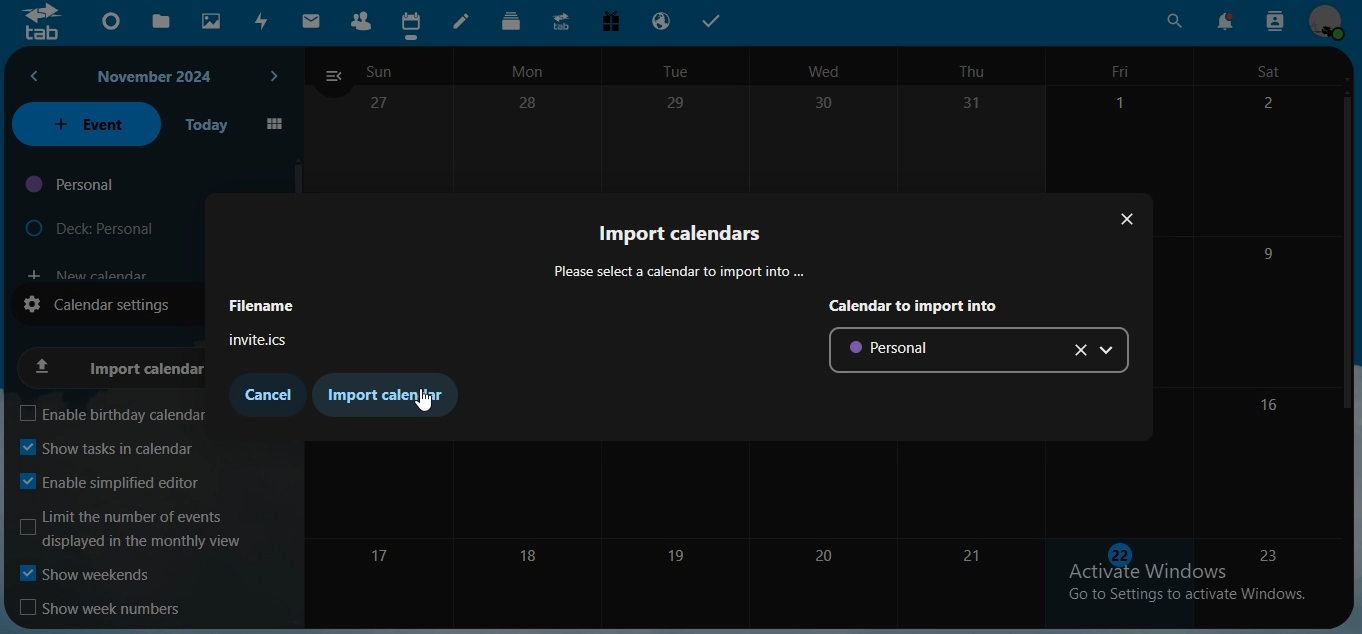 The width and height of the screenshot is (1362, 634). Describe the element at coordinates (610, 21) in the screenshot. I see `free trial` at that location.